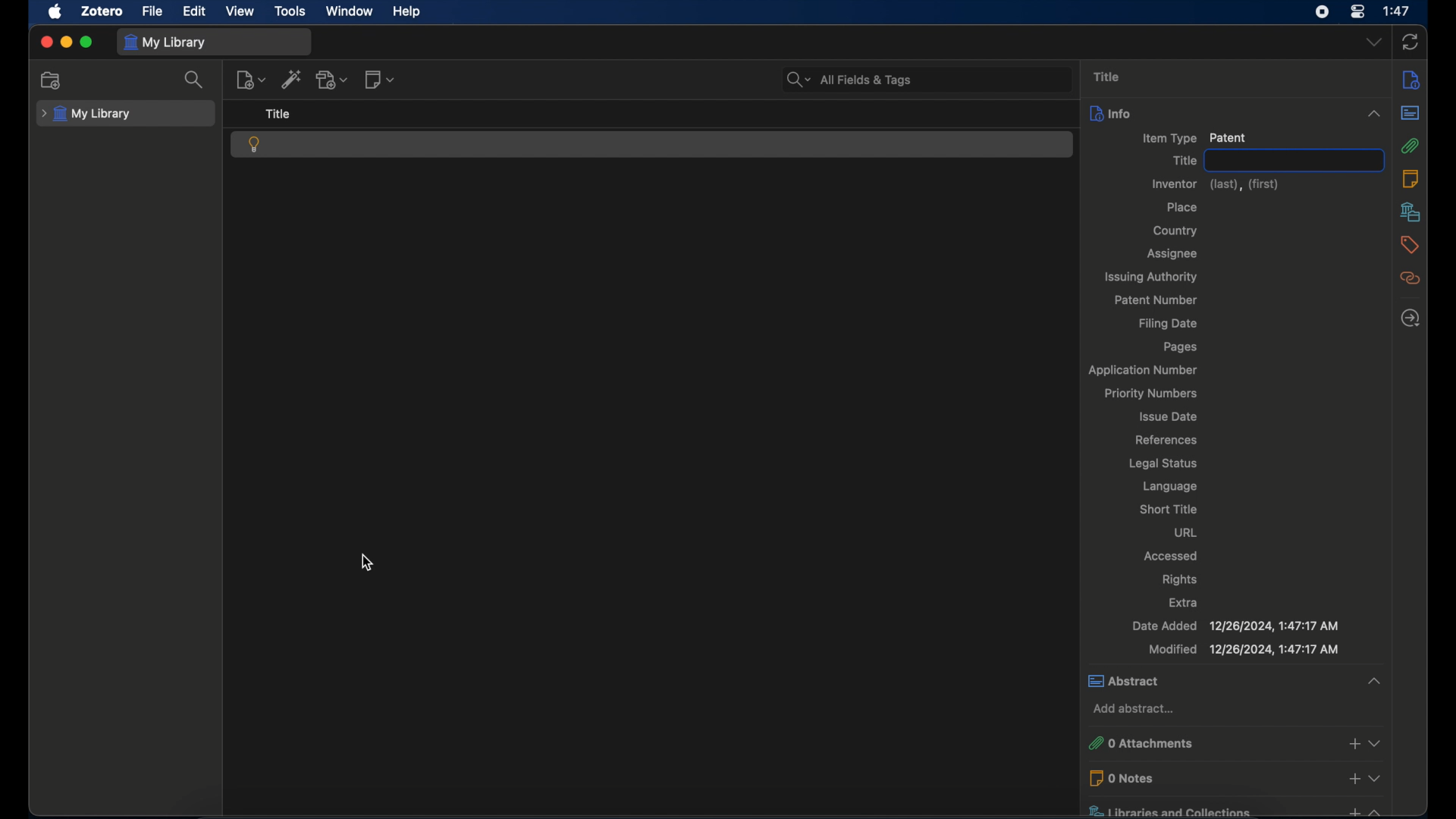  What do you see at coordinates (350, 11) in the screenshot?
I see `window` at bounding box center [350, 11].